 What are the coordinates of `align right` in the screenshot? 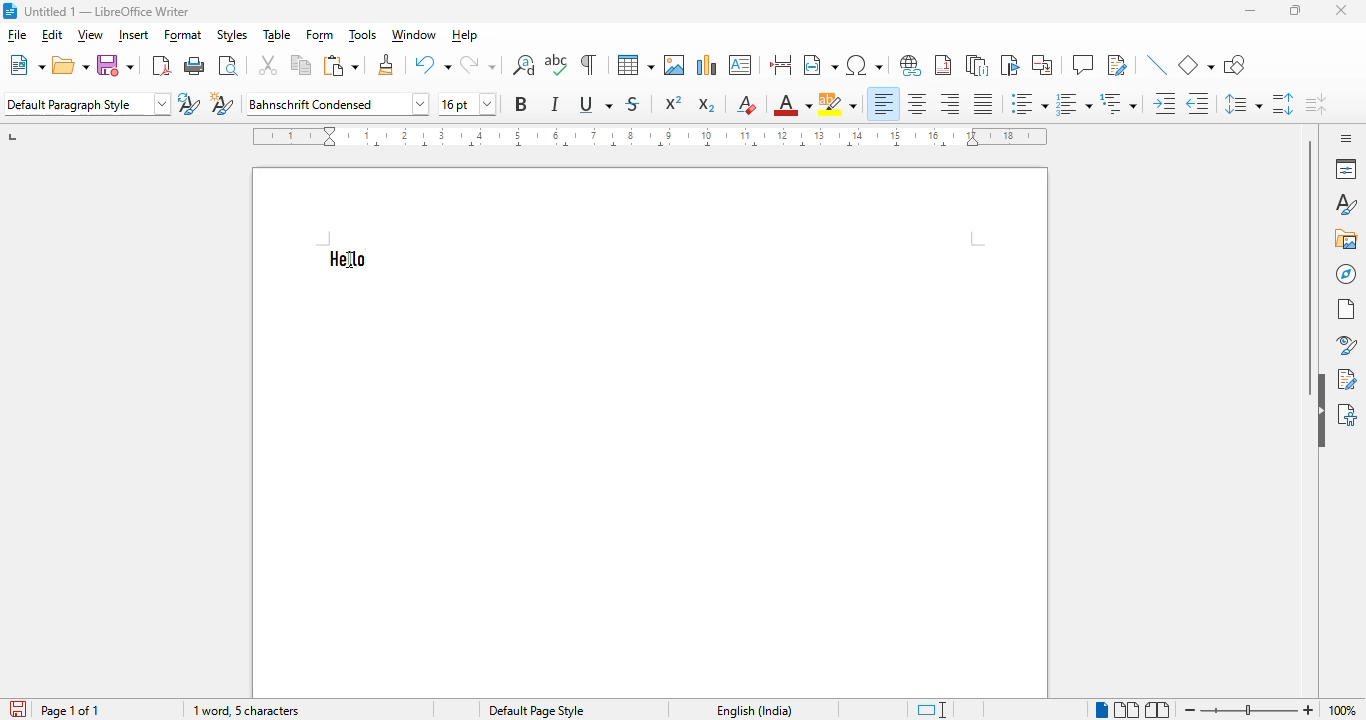 It's located at (951, 104).